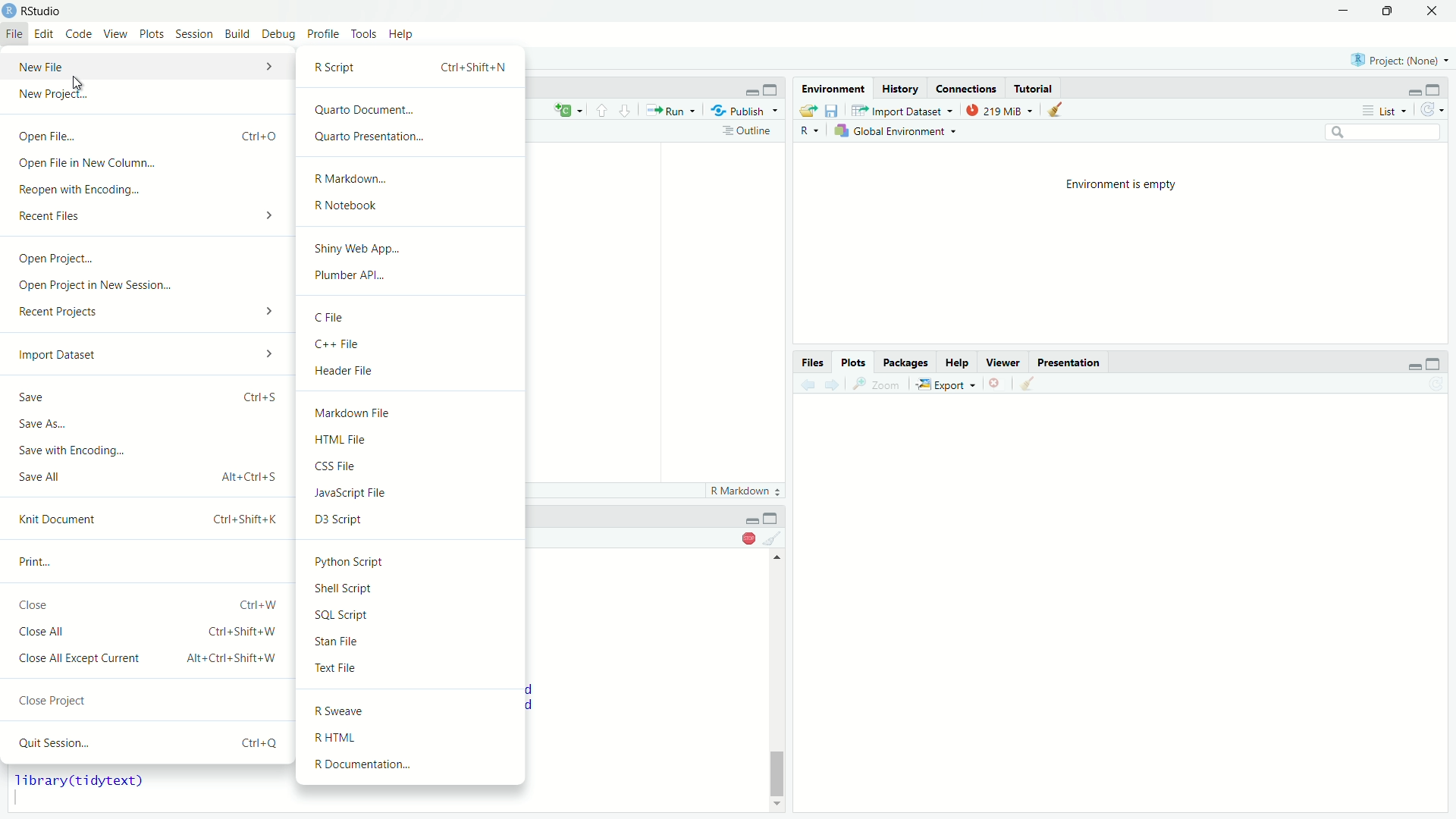  Describe the element at coordinates (150, 630) in the screenshot. I see `Close All` at that location.